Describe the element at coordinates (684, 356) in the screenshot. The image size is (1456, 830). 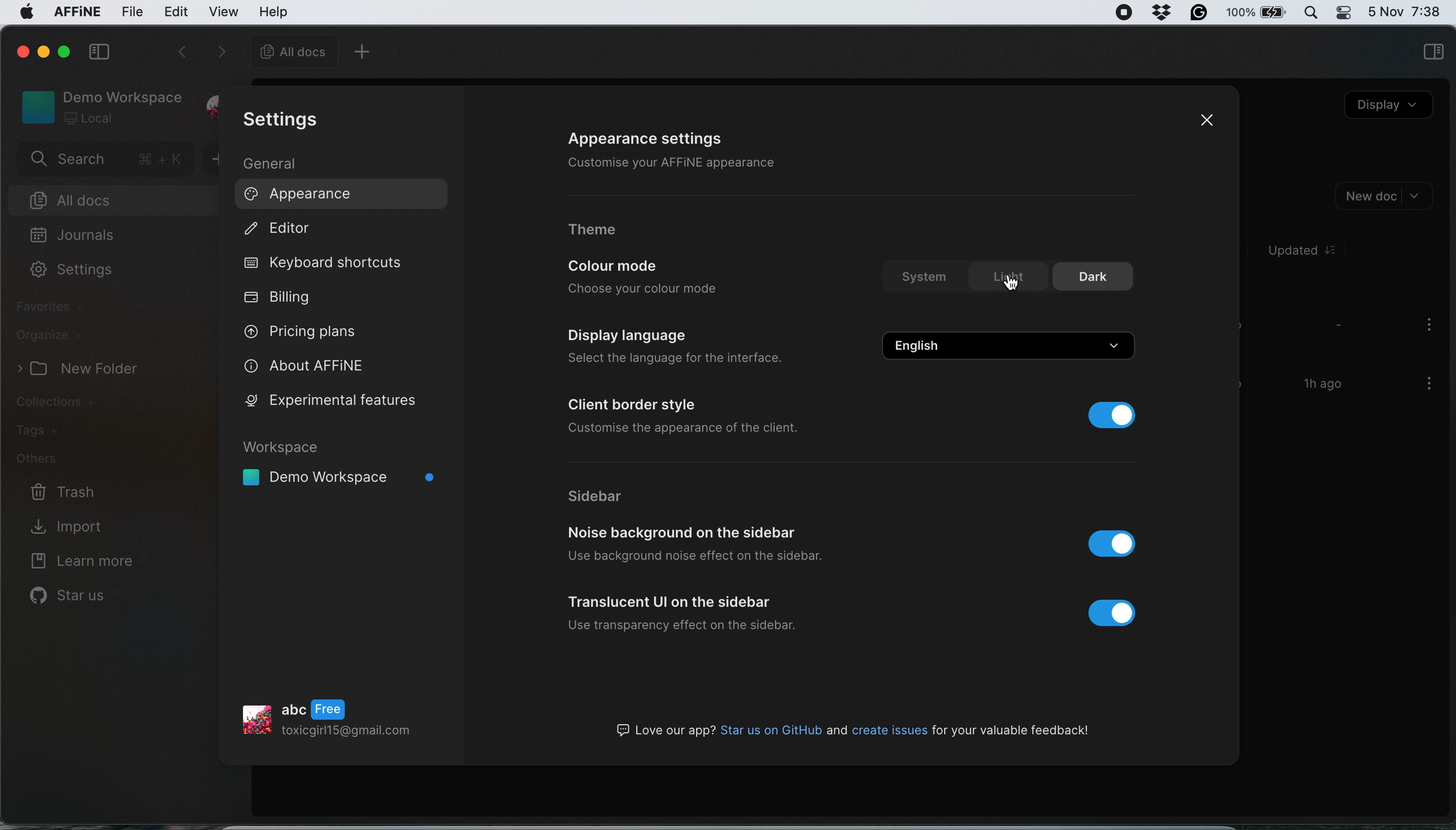
I see `select the language for the interface` at that location.